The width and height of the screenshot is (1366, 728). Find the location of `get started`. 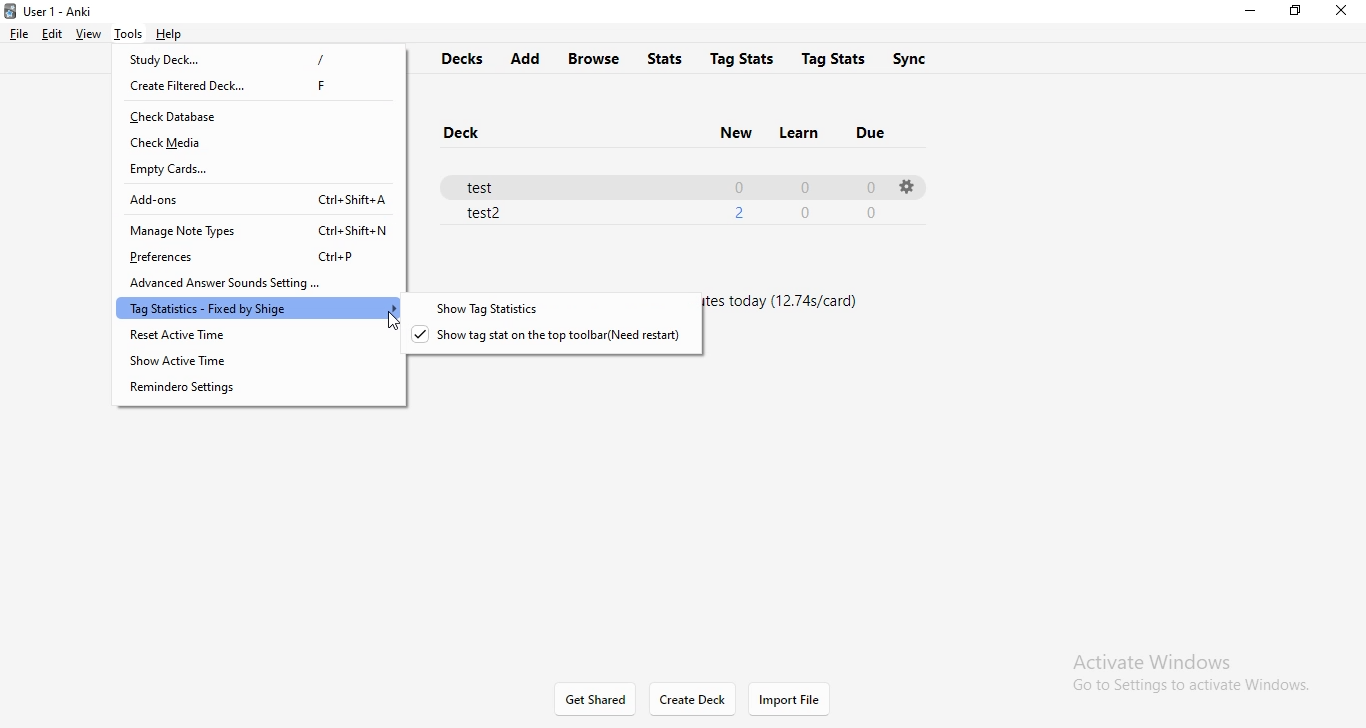

get started is located at coordinates (595, 700).